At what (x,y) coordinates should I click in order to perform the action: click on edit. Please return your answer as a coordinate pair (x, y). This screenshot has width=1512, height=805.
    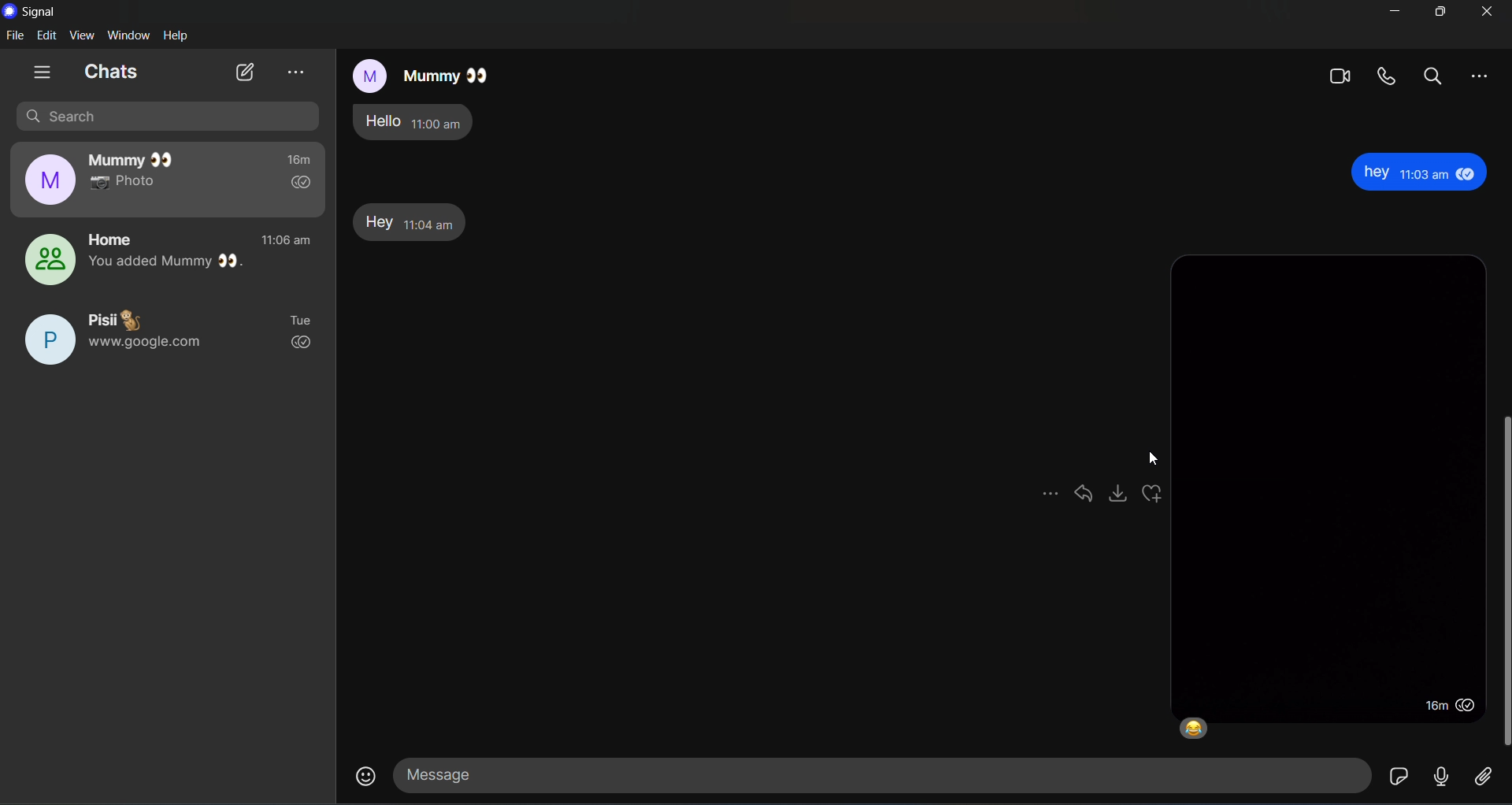
    Looking at the image, I should click on (47, 35).